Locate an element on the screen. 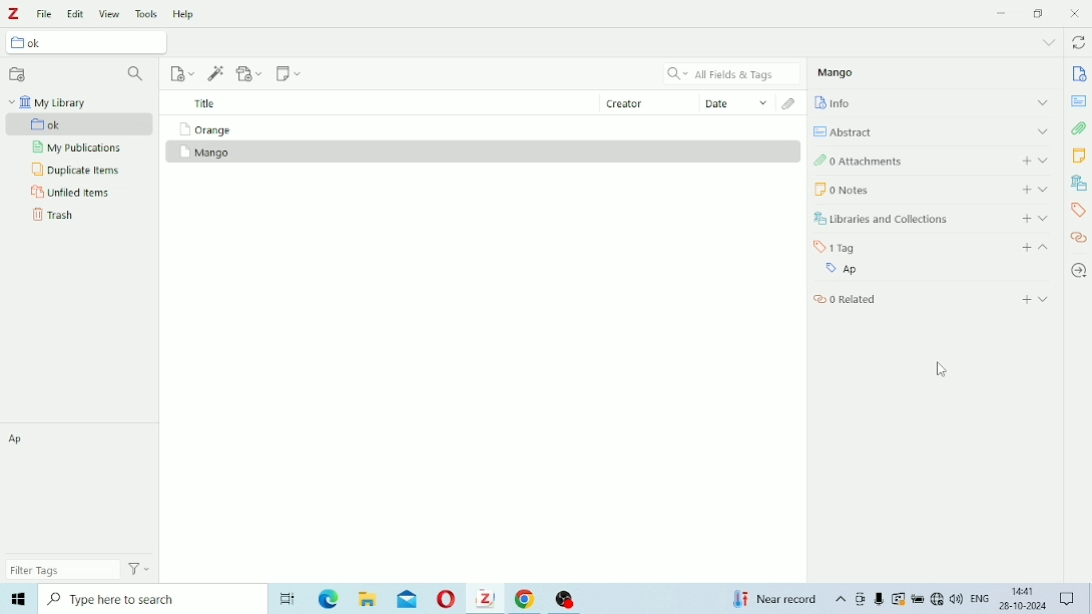  Attachments is located at coordinates (932, 159).